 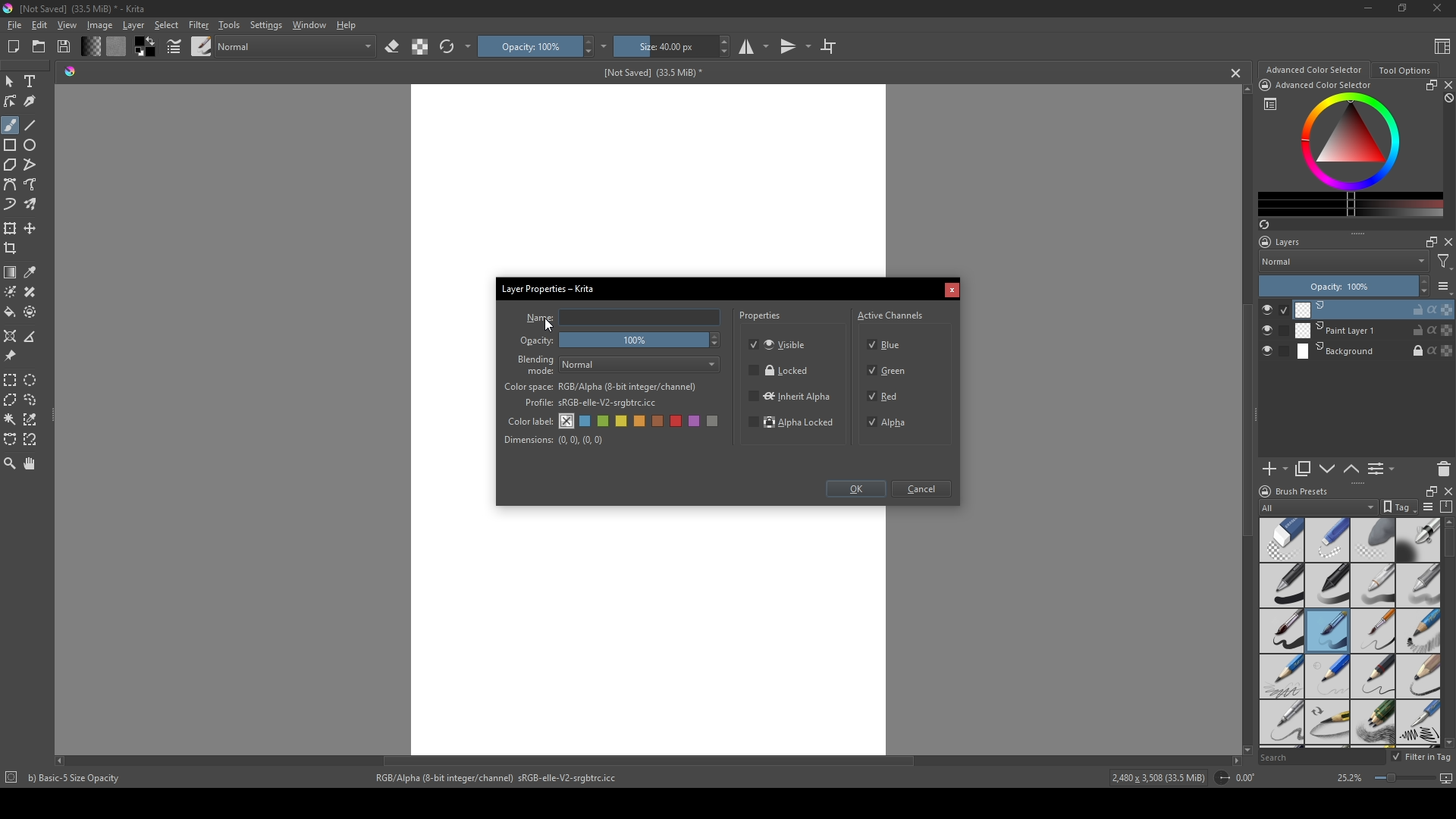 I want to click on space for input, so click(x=640, y=318).